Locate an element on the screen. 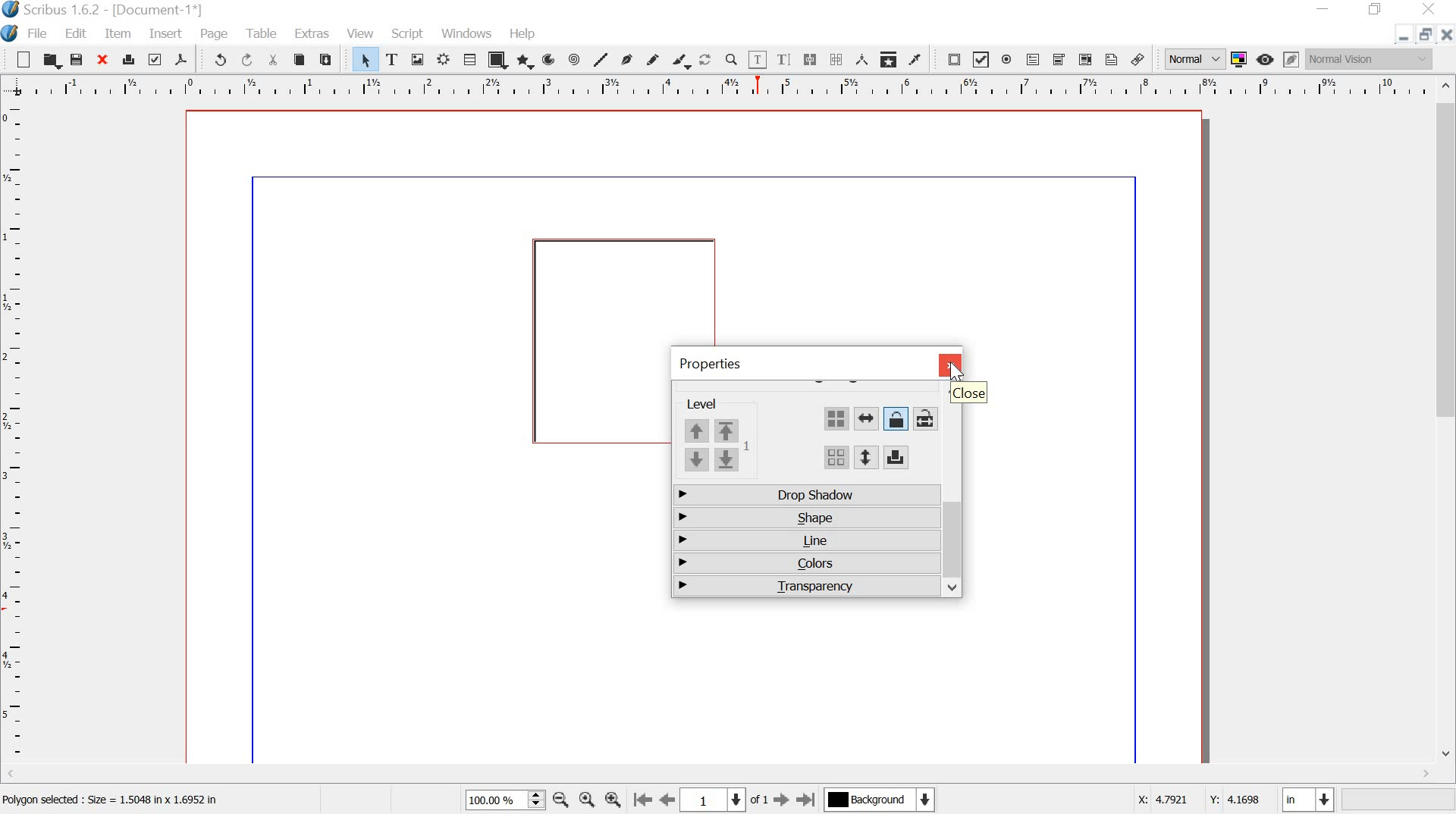  copy is located at coordinates (300, 60).